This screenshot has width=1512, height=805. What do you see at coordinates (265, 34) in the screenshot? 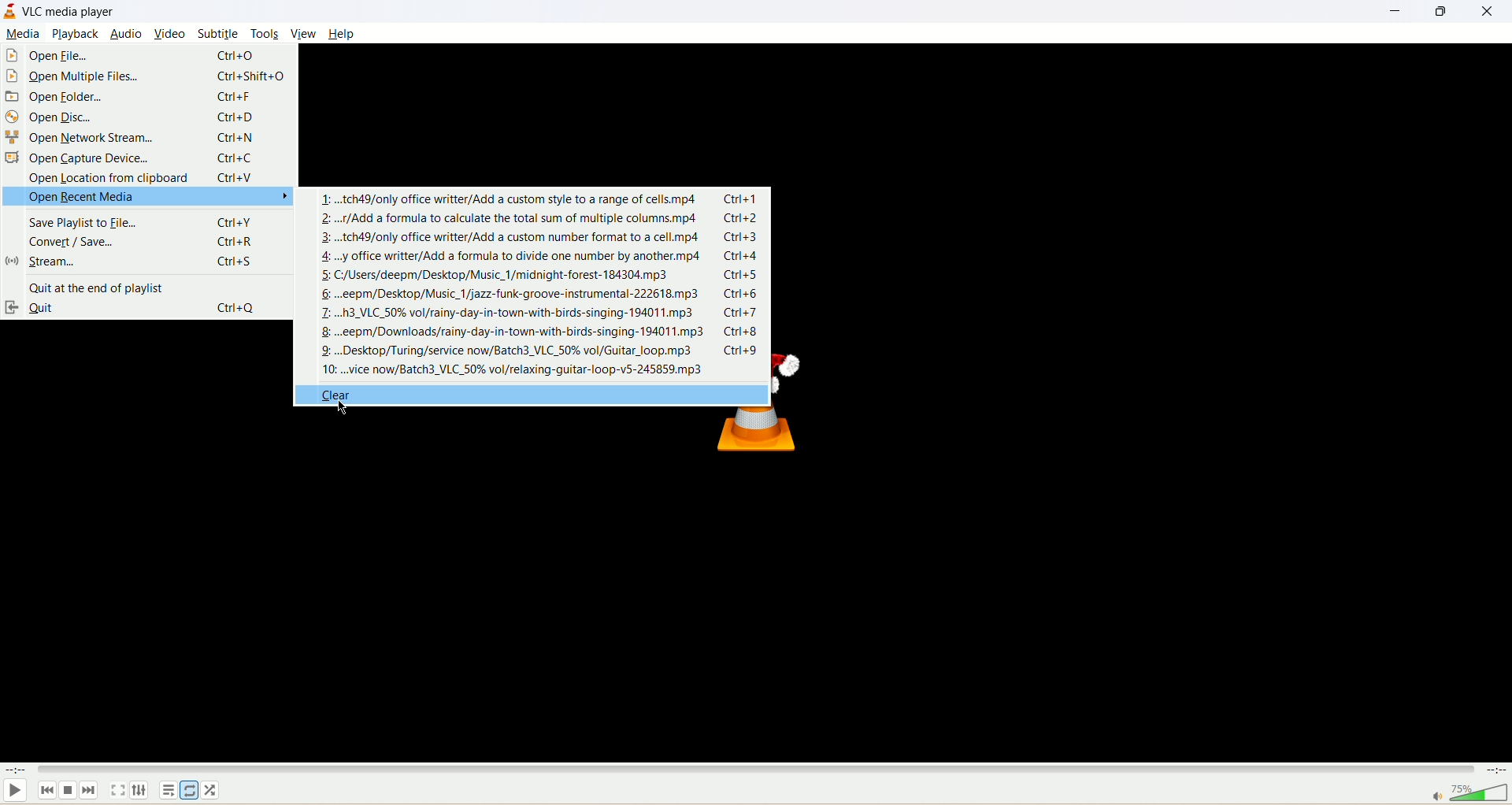
I see `tools` at bounding box center [265, 34].